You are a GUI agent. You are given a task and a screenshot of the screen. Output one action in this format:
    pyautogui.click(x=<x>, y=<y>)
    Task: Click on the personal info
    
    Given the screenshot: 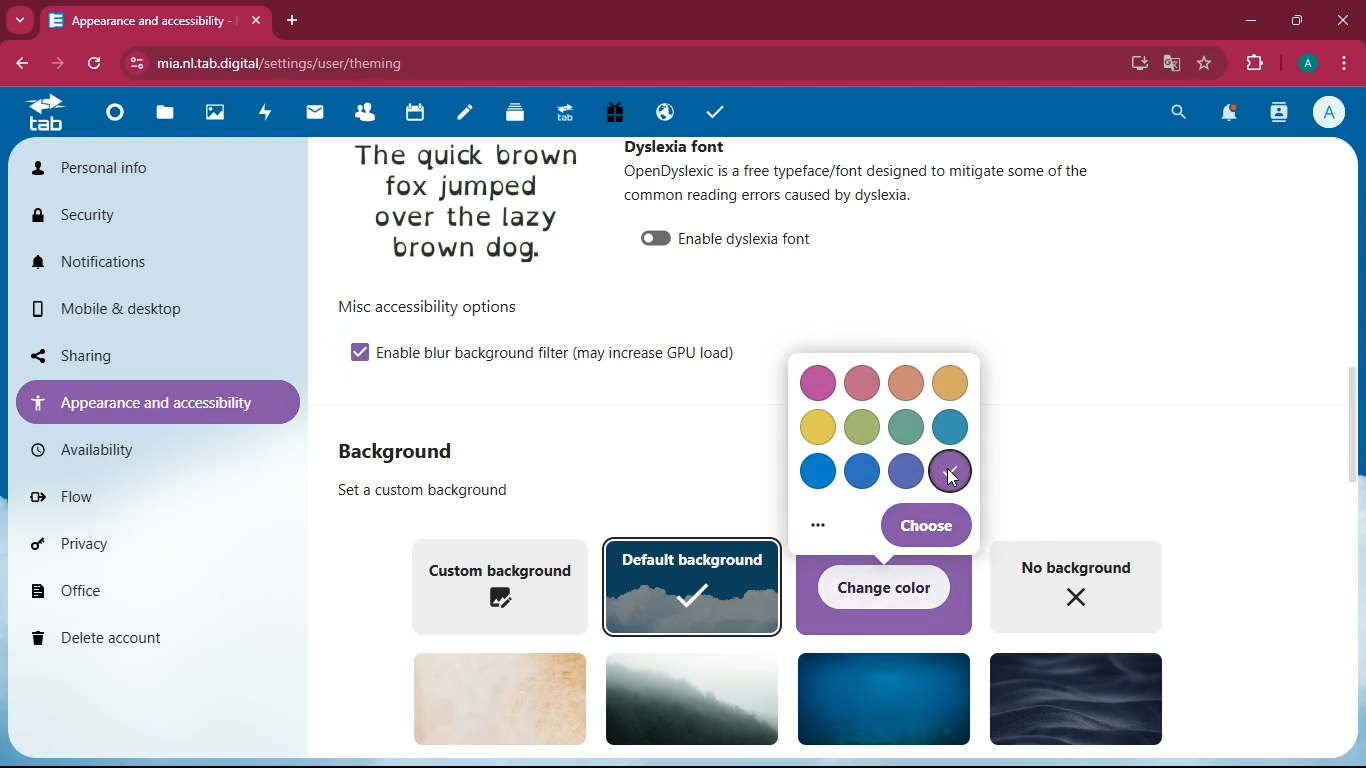 What is the action you would take?
    pyautogui.click(x=128, y=168)
    